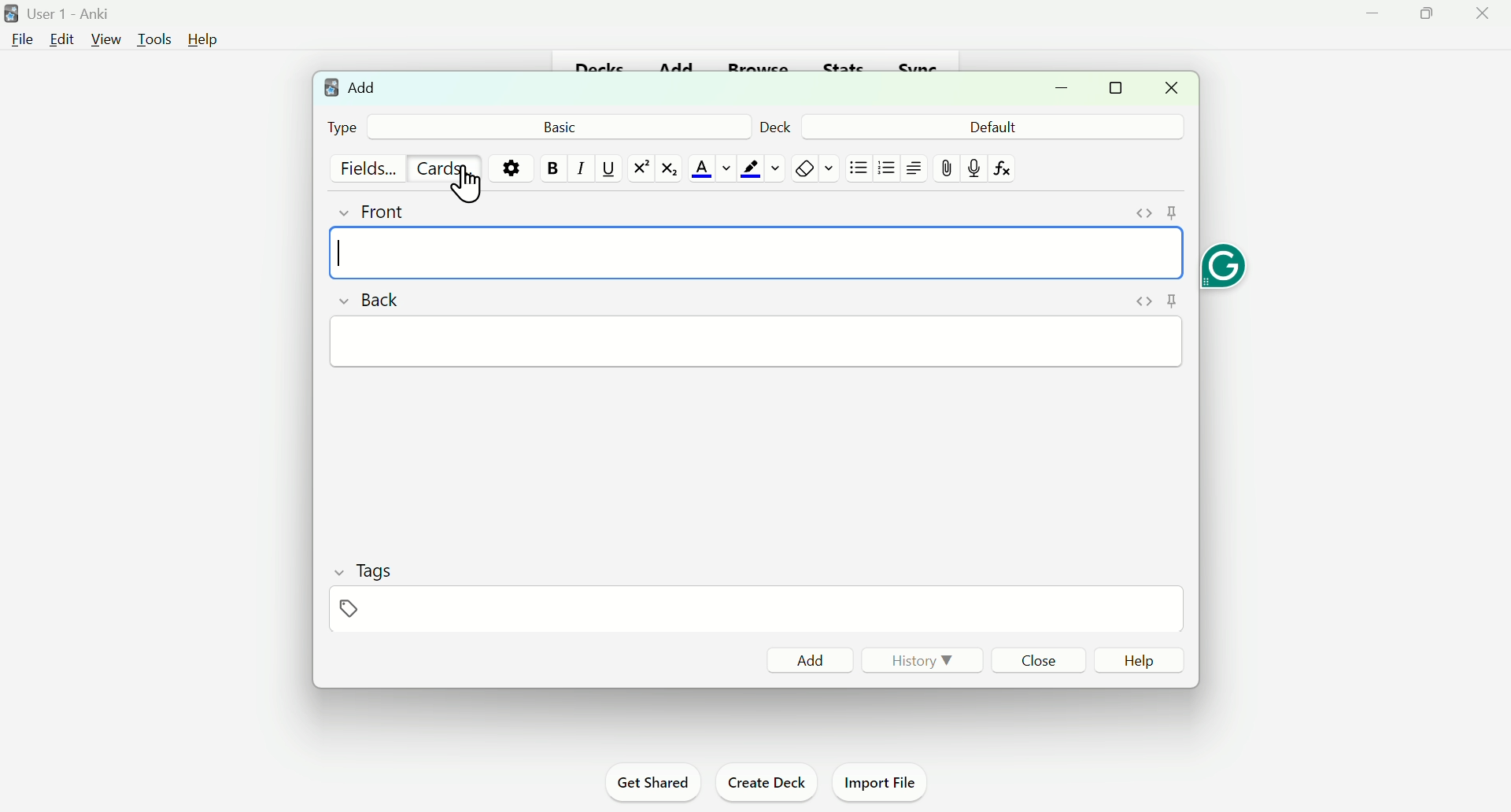  What do you see at coordinates (757, 609) in the screenshot?
I see `tag space` at bounding box center [757, 609].